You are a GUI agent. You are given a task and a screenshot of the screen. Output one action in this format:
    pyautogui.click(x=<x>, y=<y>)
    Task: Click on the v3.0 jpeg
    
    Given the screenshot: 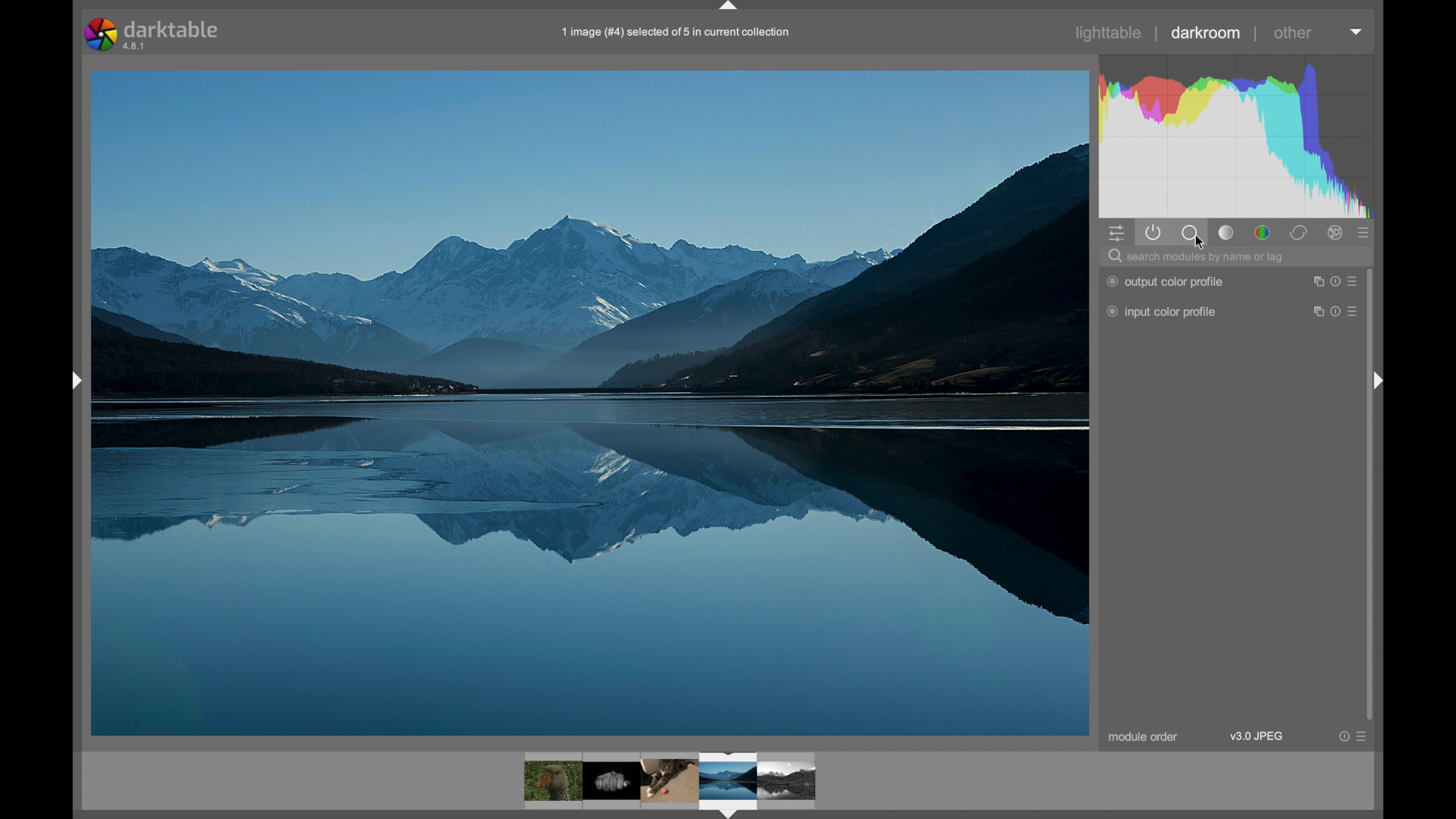 What is the action you would take?
    pyautogui.click(x=1258, y=736)
    